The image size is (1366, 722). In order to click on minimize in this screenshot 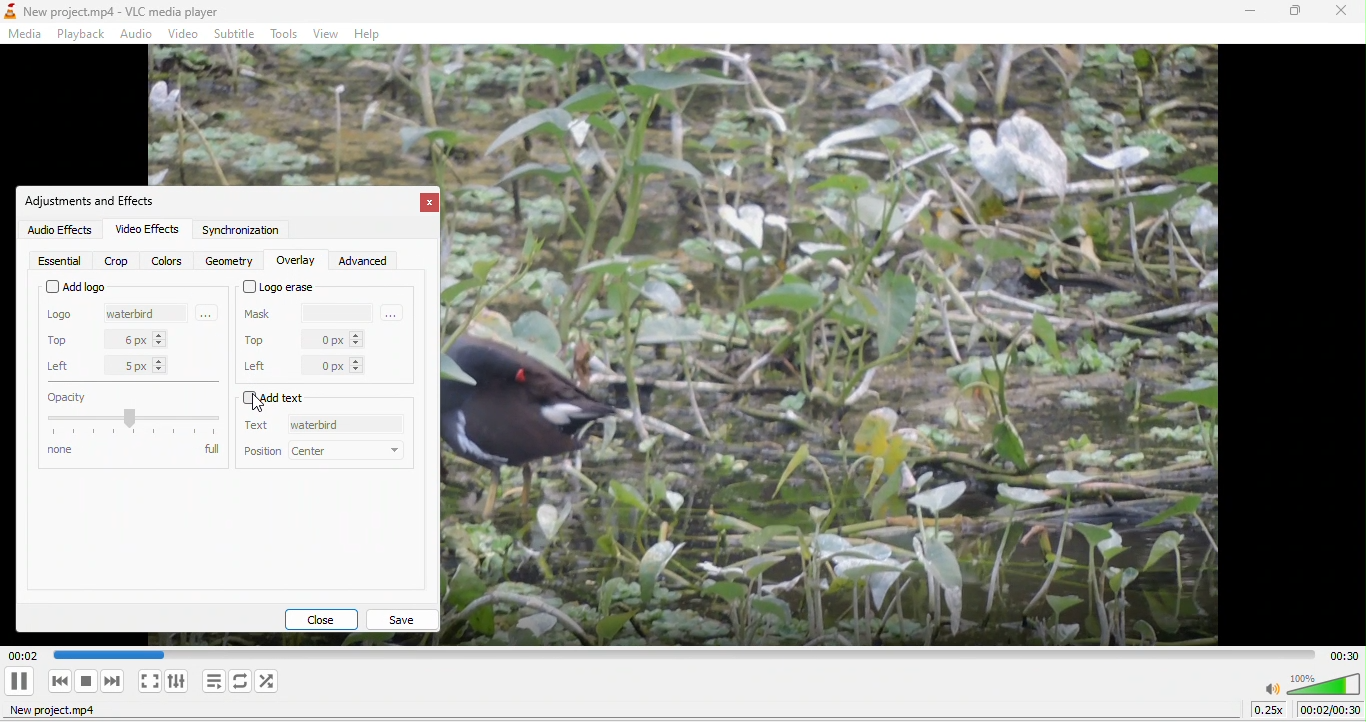, I will do `click(1241, 12)`.